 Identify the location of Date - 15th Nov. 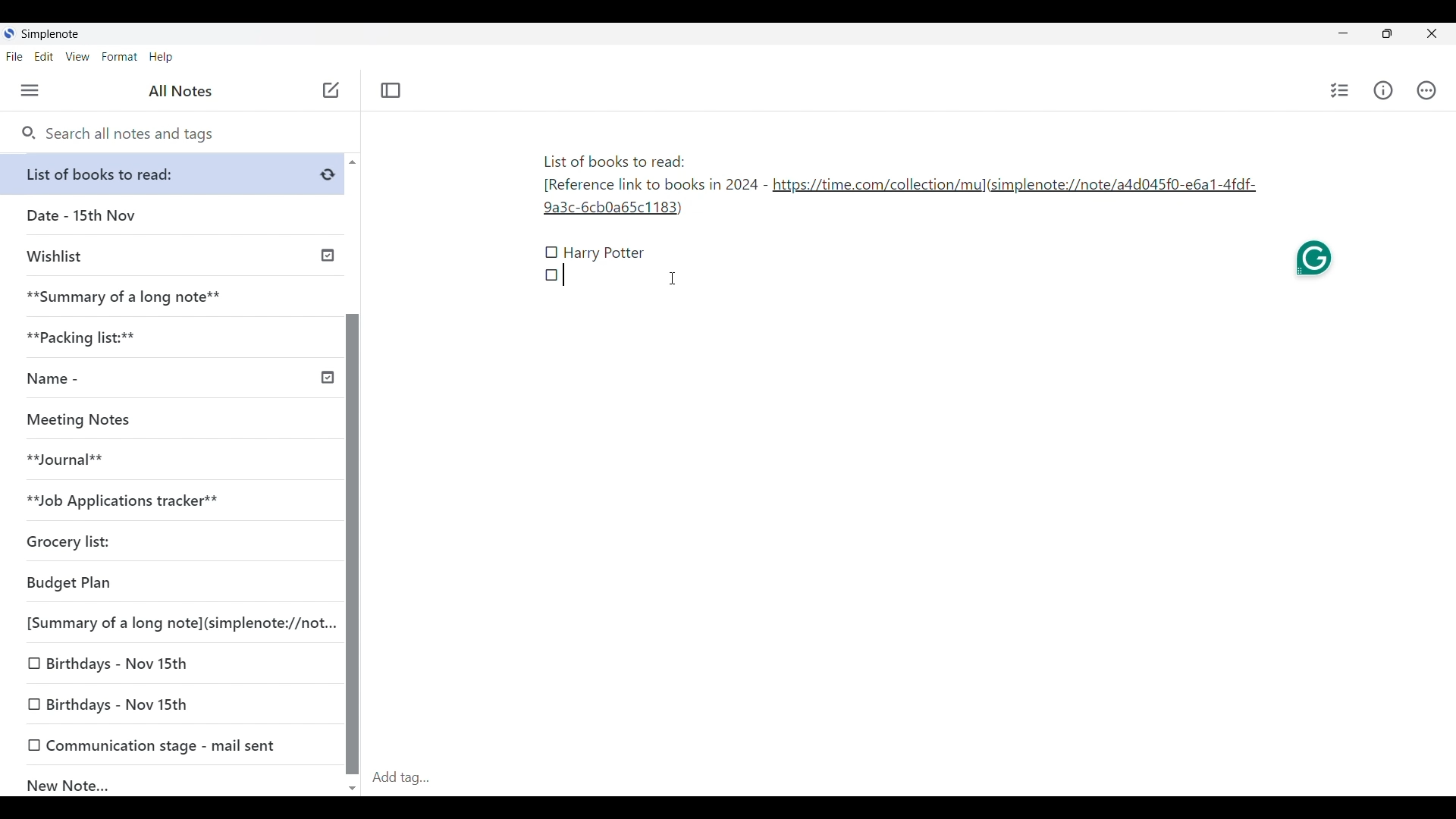
(173, 215).